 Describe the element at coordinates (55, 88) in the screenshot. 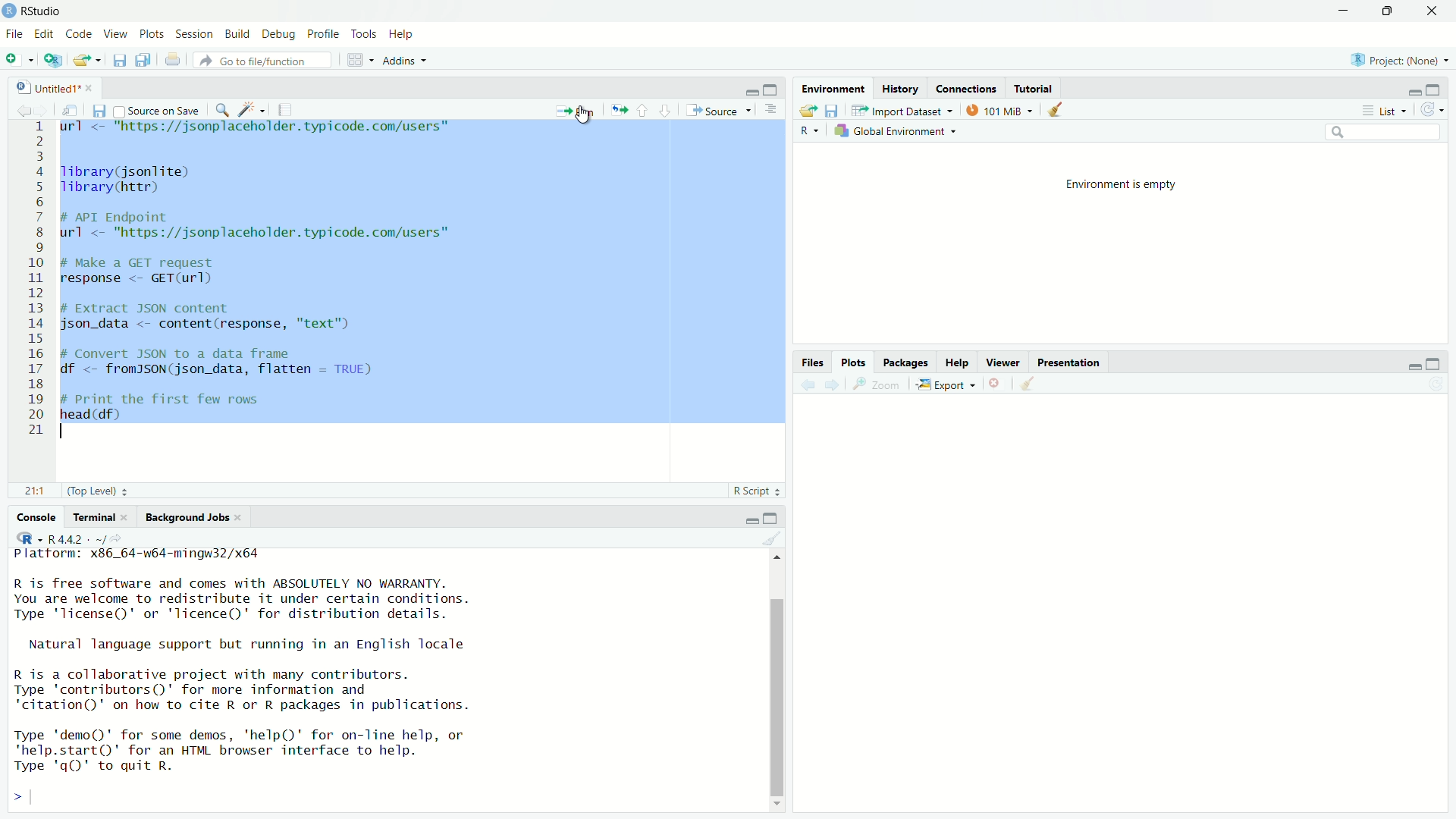

I see `Untitled 1` at that location.